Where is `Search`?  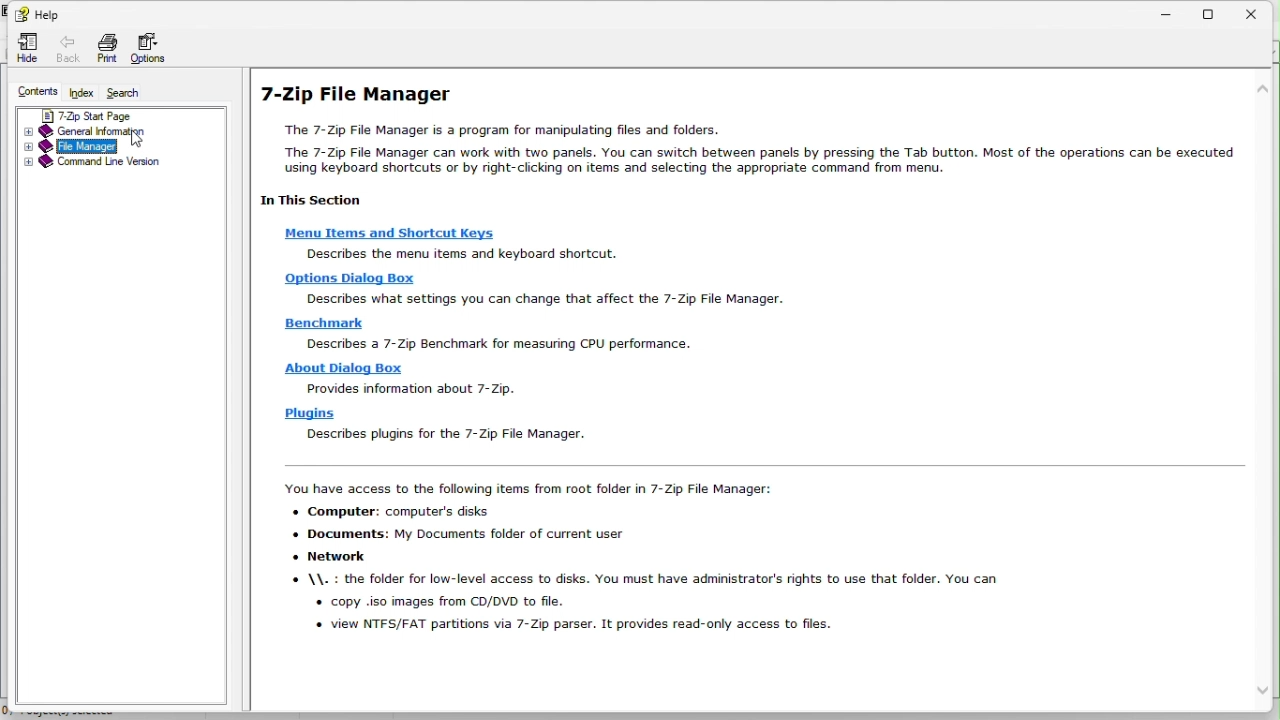 Search is located at coordinates (122, 92).